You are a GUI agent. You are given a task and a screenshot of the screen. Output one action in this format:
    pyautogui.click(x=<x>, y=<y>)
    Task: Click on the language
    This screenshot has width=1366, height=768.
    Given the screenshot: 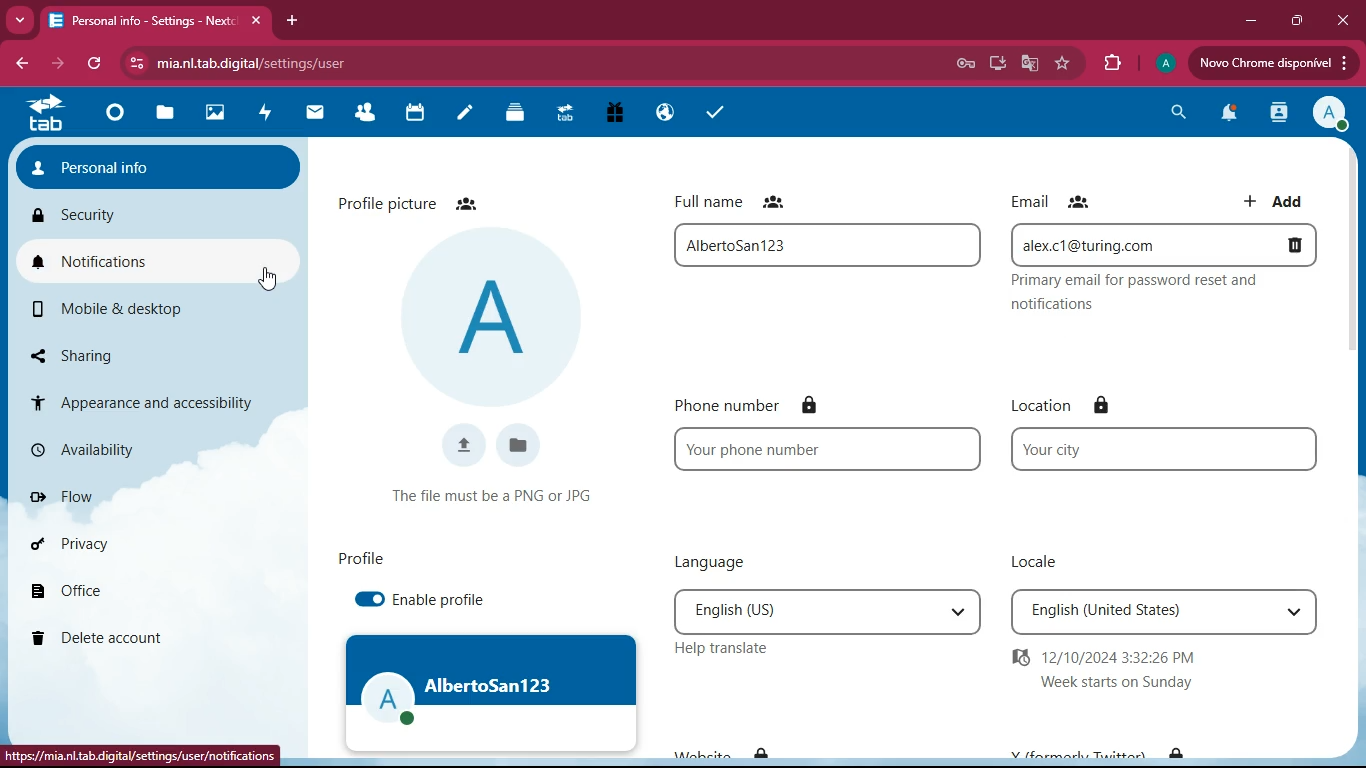 What is the action you would take?
    pyautogui.click(x=726, y=562)
    